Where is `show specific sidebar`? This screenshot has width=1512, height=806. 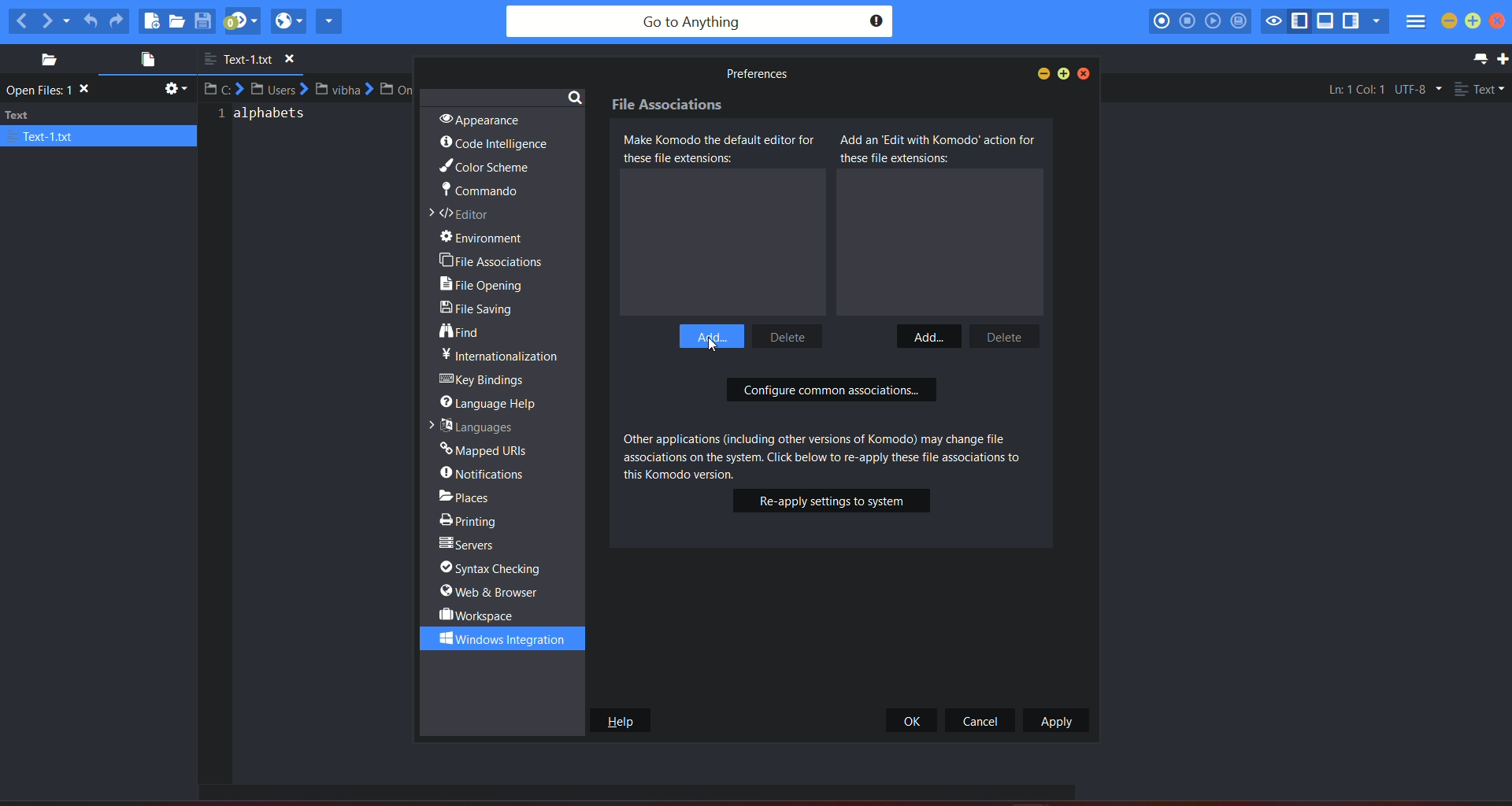 show specific sidebar is located at coordinates (1376, 21).